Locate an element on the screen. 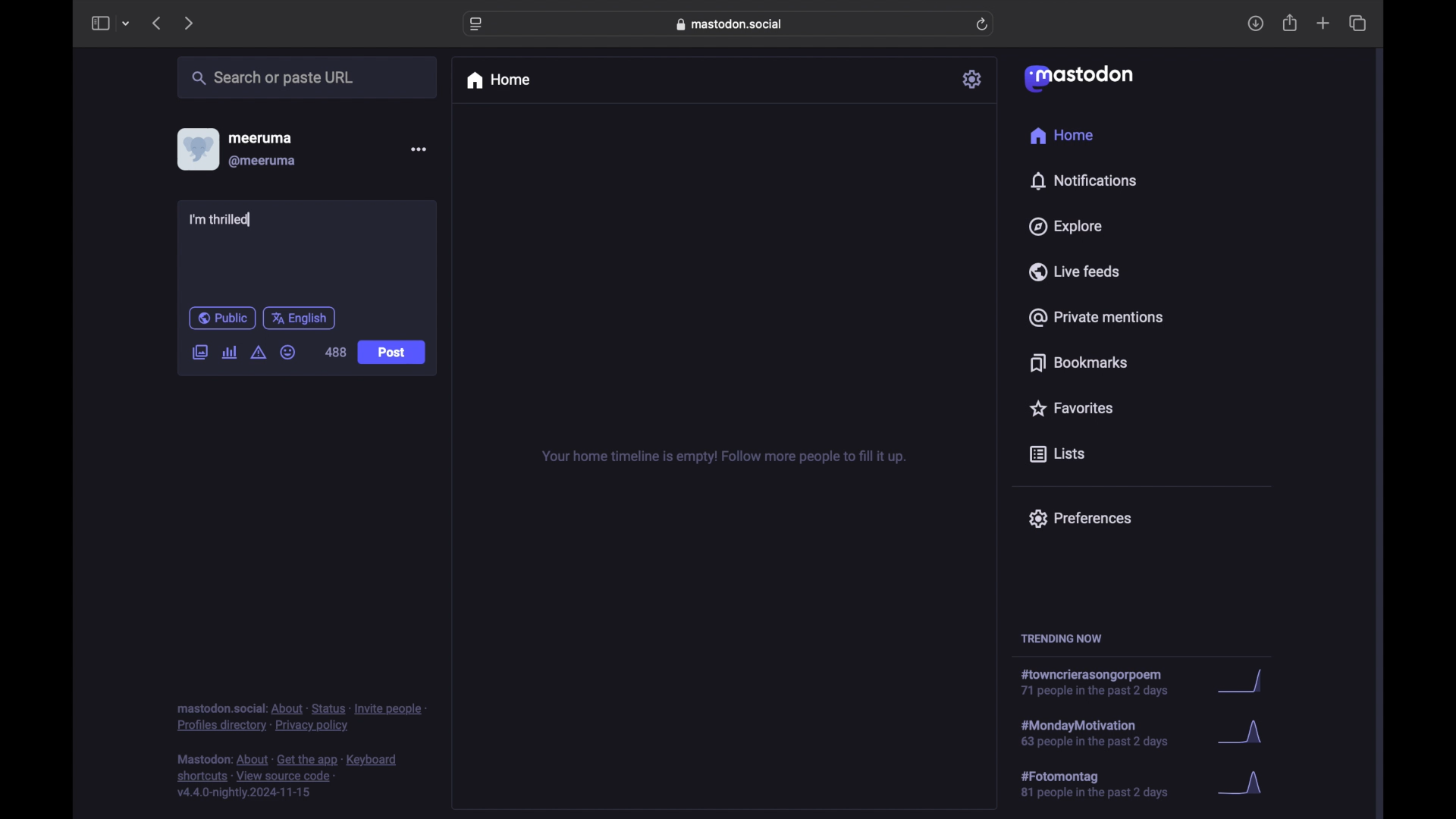 The image size is (1456, 819). previous is located at coordinates (156, 23).